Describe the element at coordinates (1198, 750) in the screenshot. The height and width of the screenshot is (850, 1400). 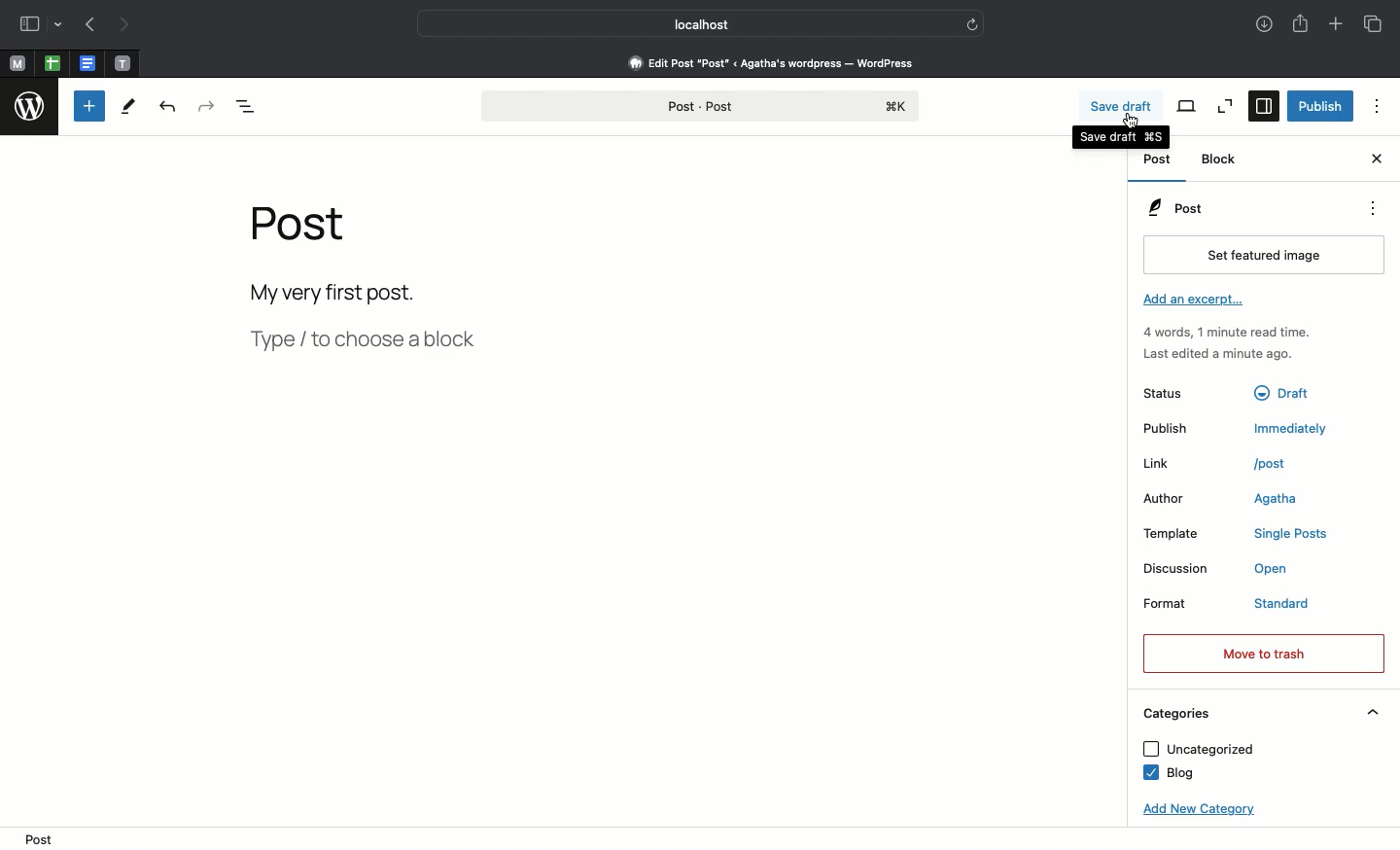
I see `Uncategorized` at that location.